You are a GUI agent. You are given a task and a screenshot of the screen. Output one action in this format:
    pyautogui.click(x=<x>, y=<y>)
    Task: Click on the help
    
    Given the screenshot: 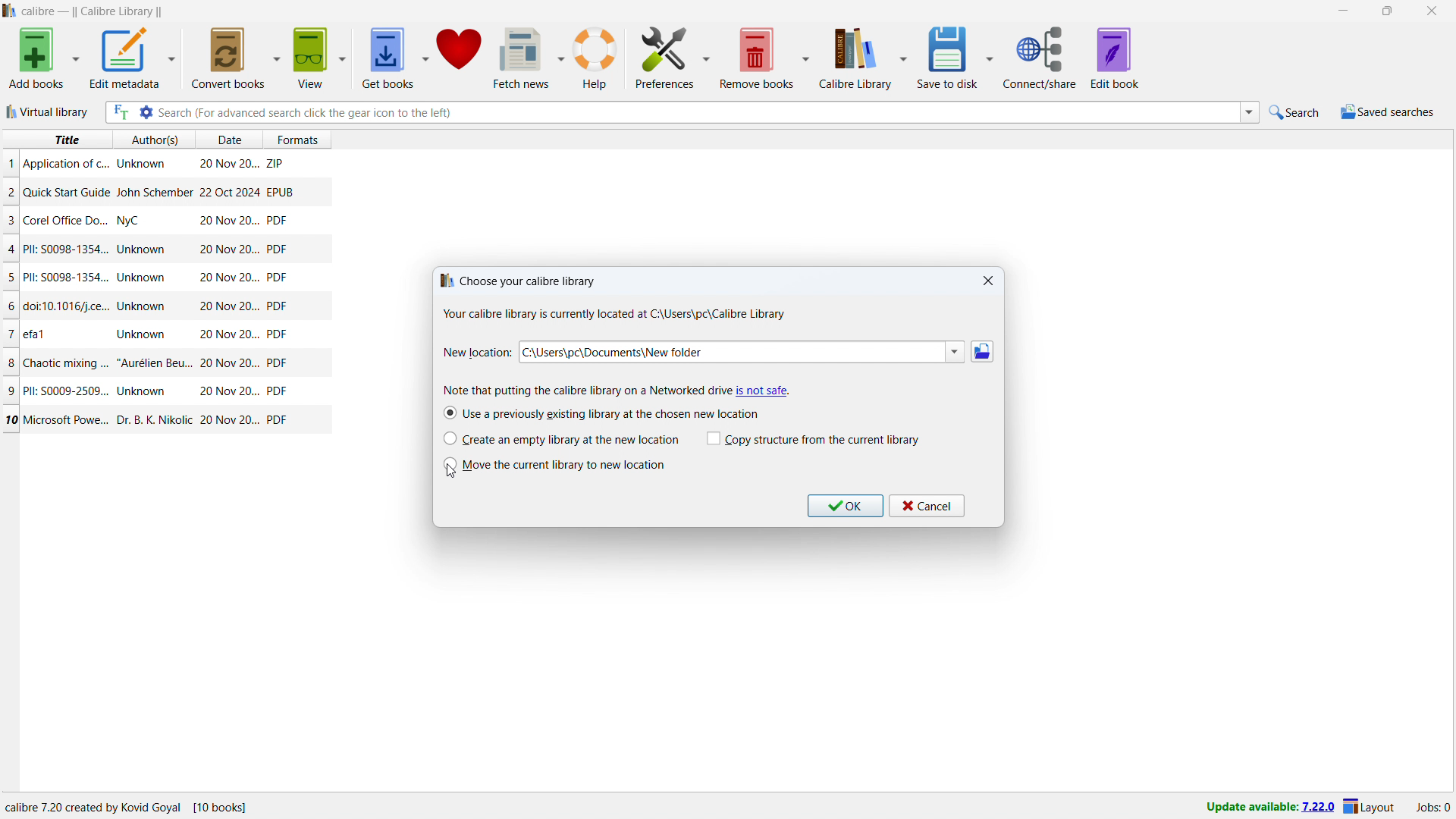 What is the action you would take?
    pyautogui.click(x=595, y=58)
    